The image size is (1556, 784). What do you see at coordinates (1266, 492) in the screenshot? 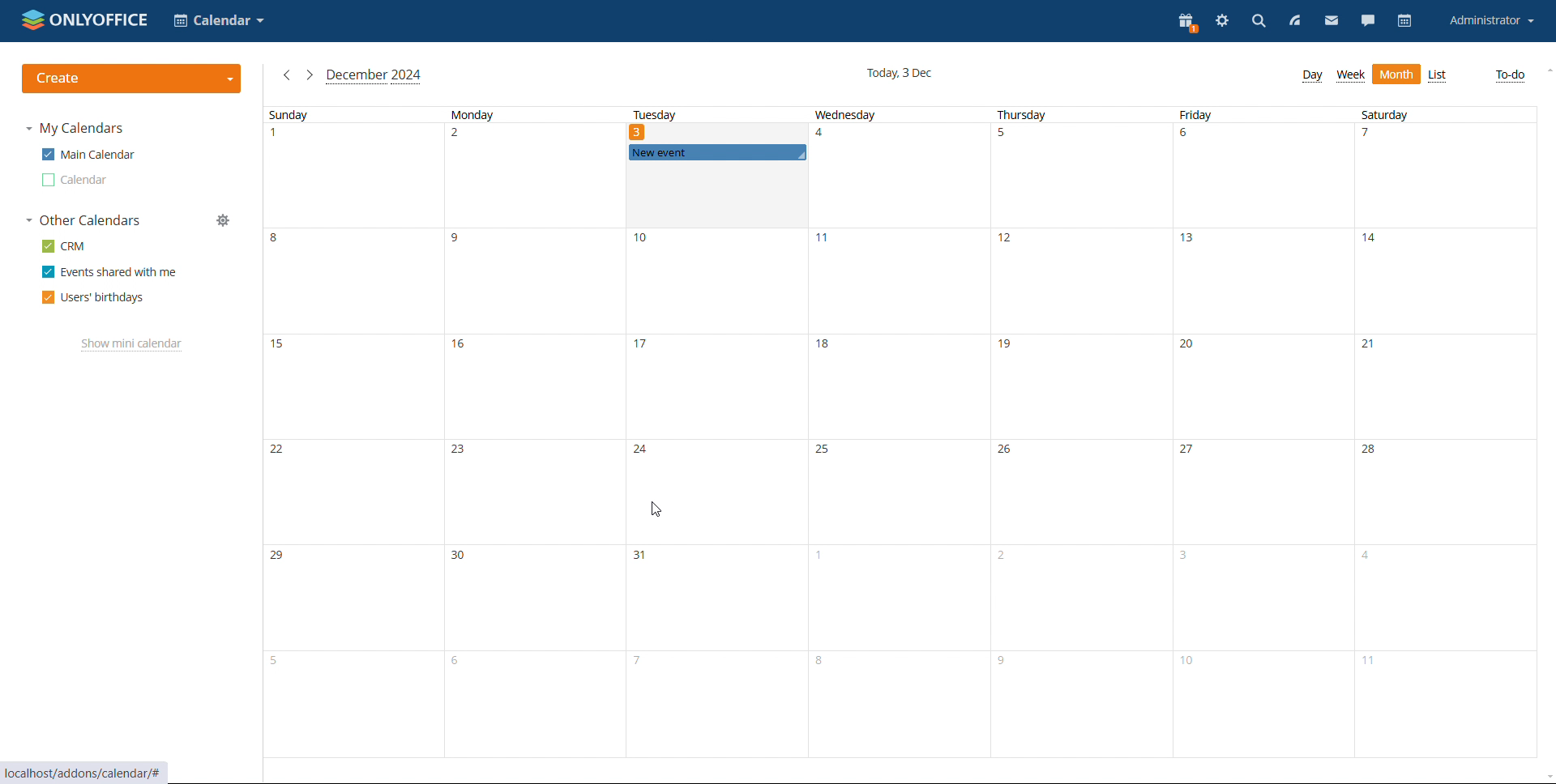
I see `date` at bounding box center [1266, 492].